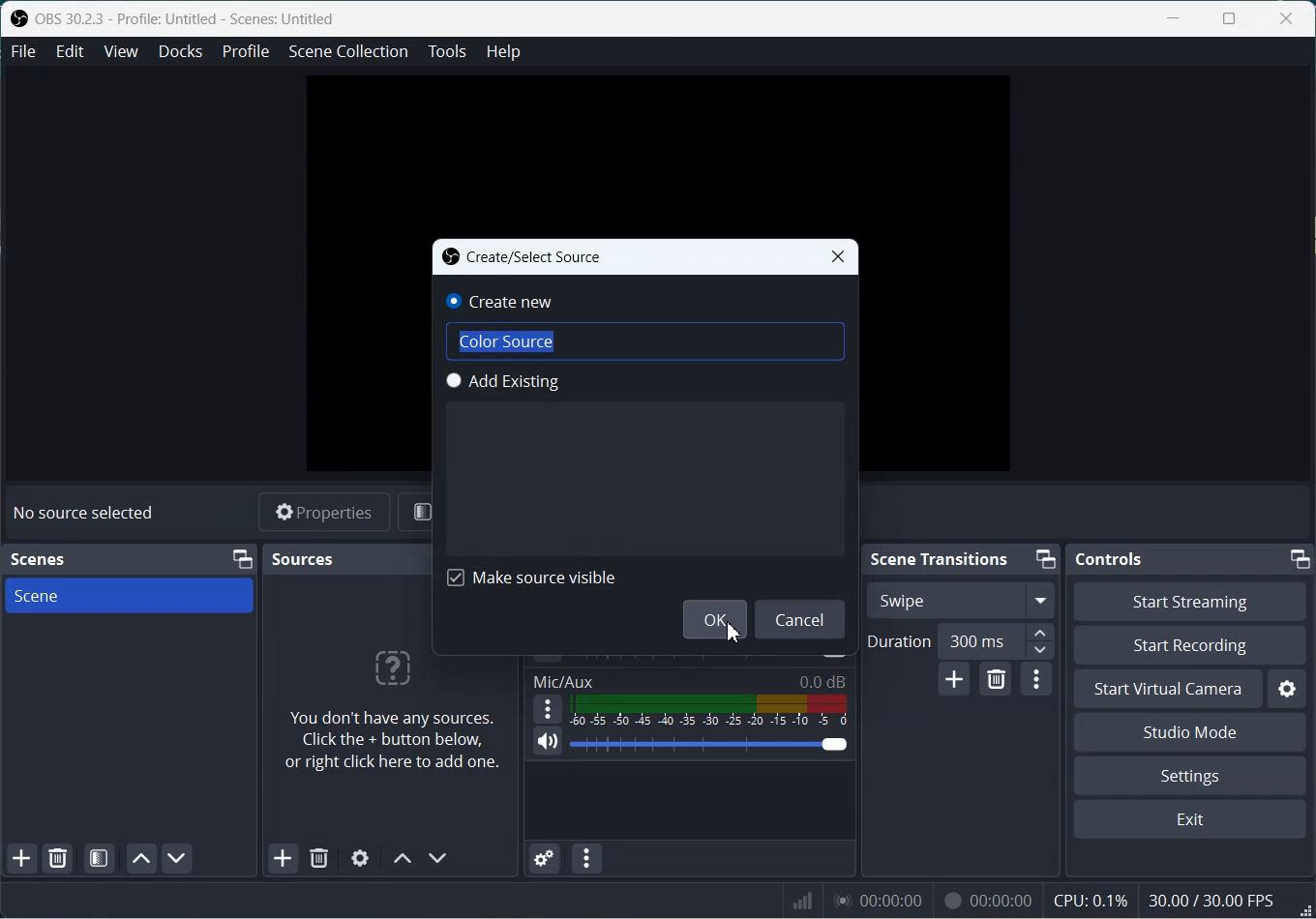  I want to click on File, so click(20, 51).